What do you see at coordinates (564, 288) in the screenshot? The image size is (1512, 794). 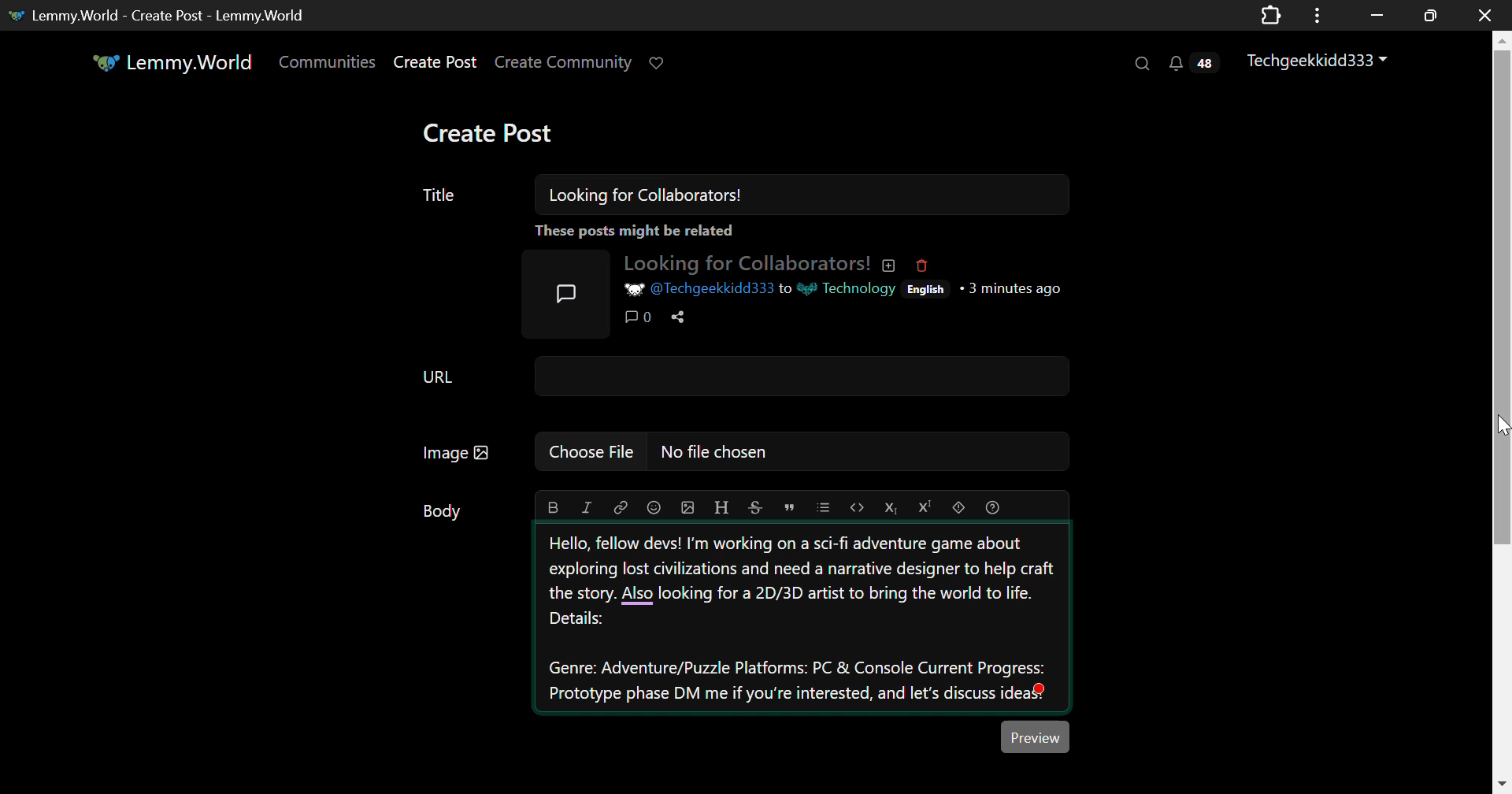 I see `Post Icon` at bounding box center [564, 288].